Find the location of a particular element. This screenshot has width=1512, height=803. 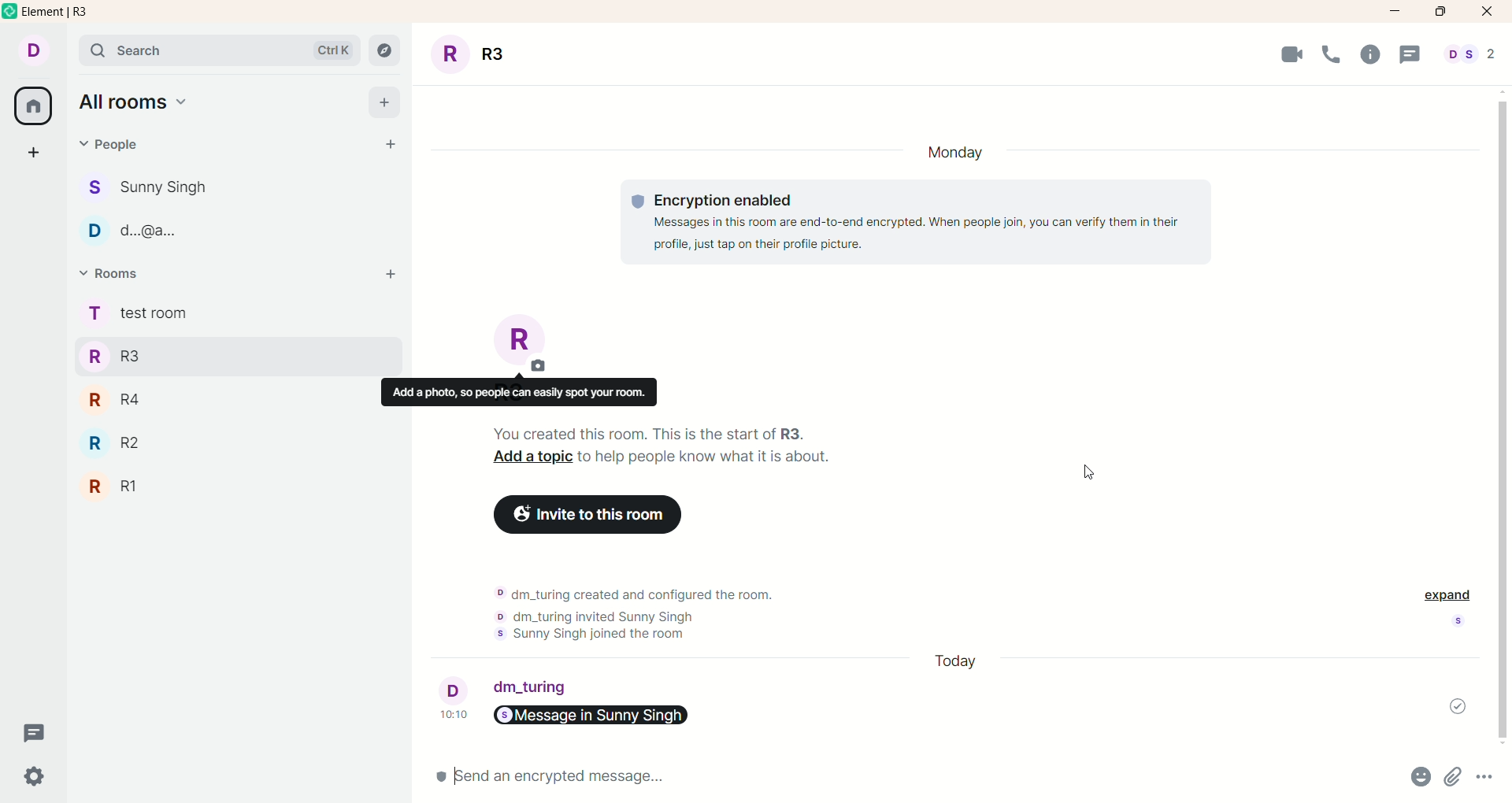

 is located at coordinates (1503, 423).